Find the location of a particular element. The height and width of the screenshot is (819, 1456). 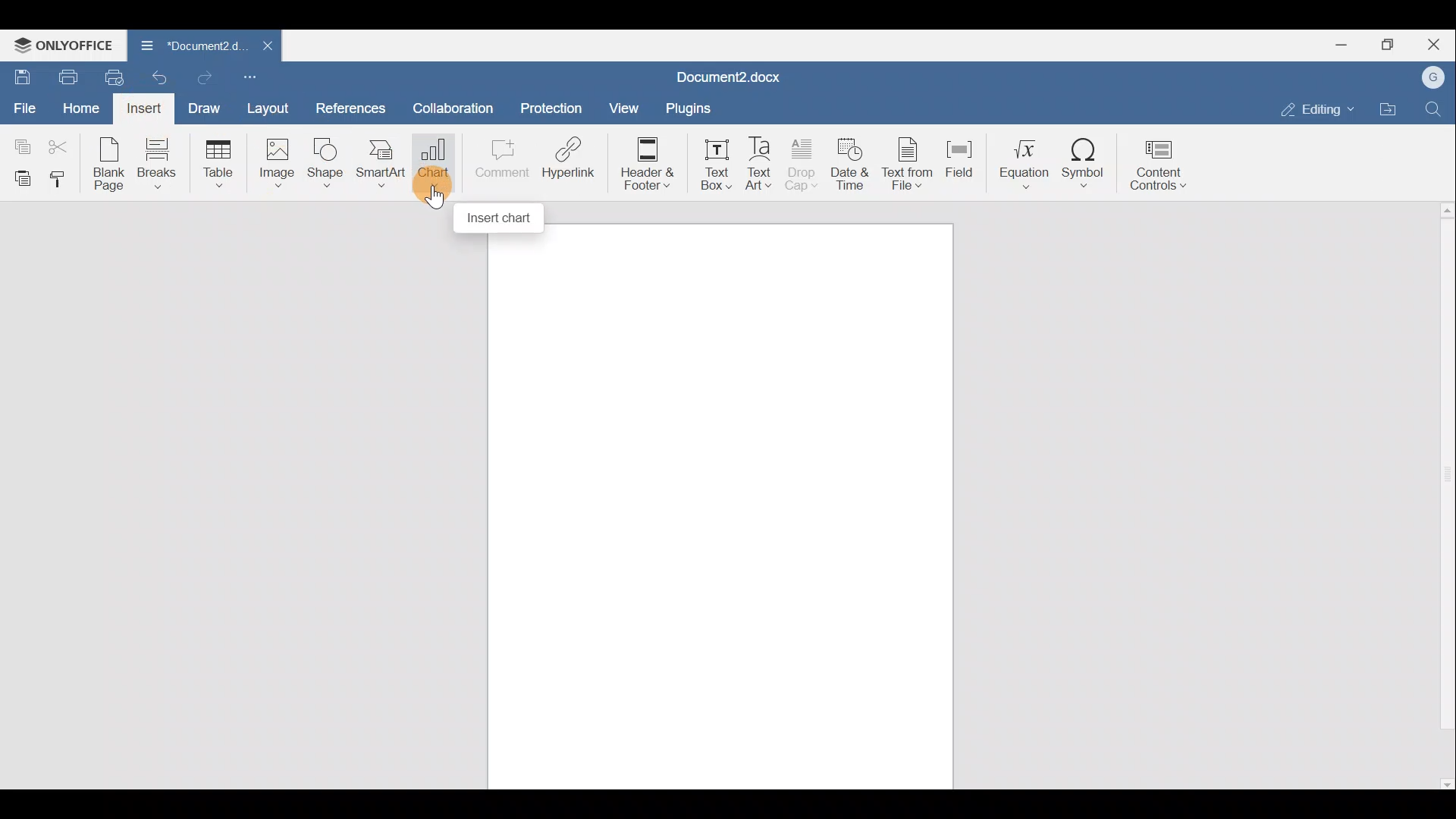

Plugins is located at coordinates (688, 108).